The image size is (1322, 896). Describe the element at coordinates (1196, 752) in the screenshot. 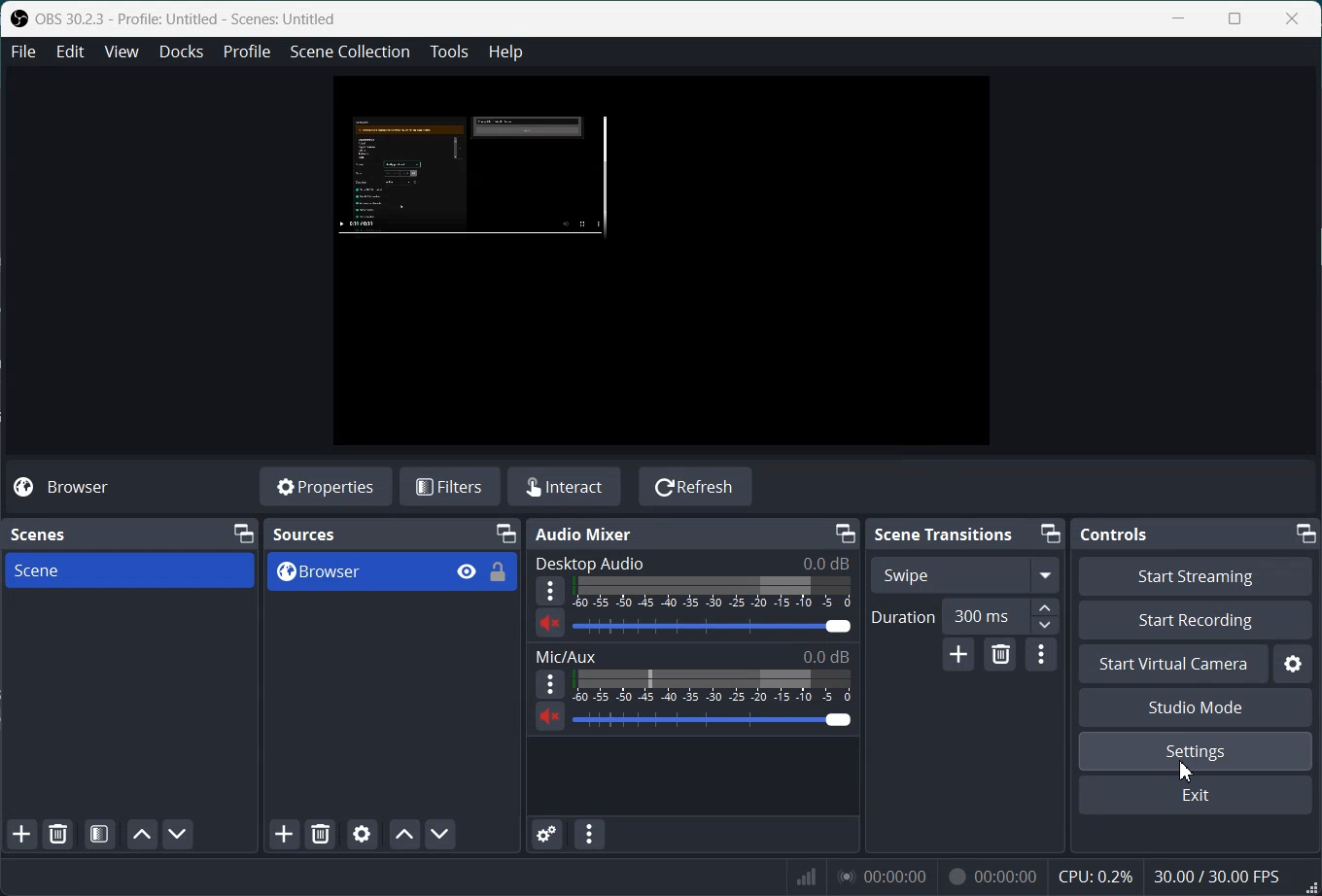

I see `Settings` at that location.